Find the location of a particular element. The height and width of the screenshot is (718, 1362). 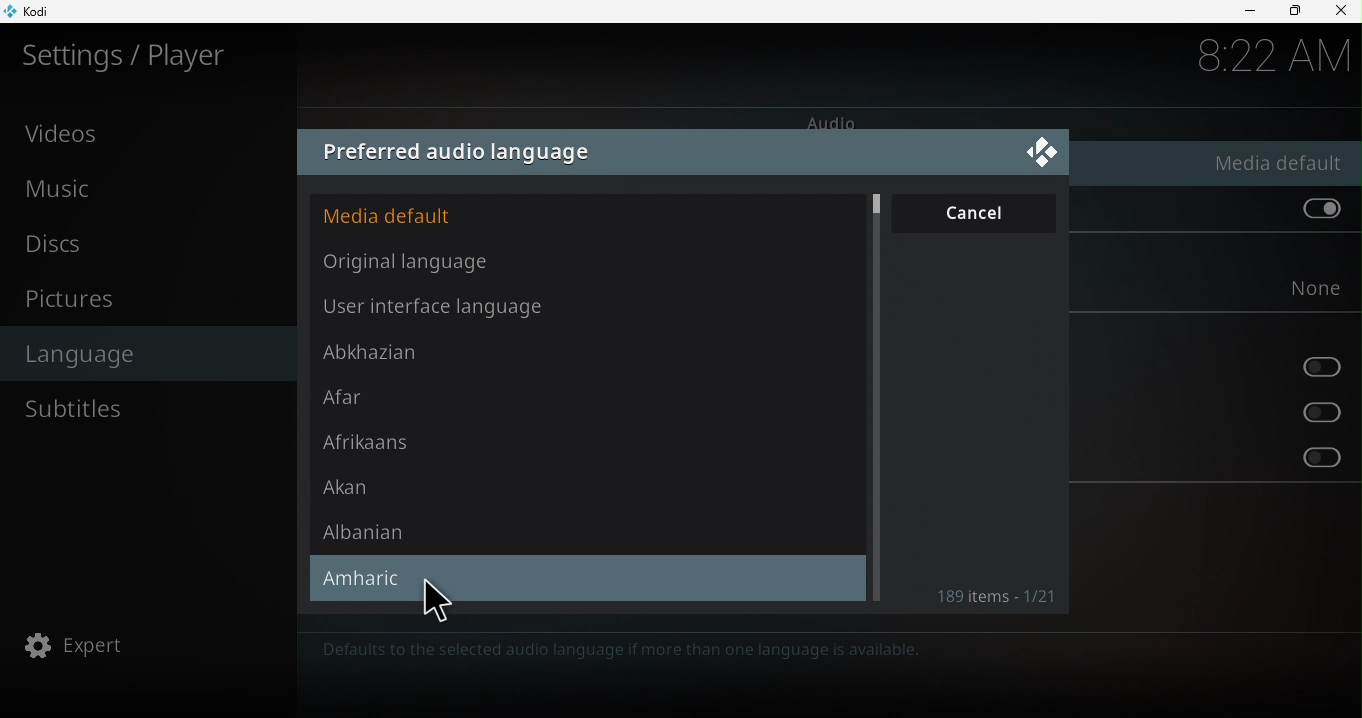

Close is located at coordinates (1340, 11).